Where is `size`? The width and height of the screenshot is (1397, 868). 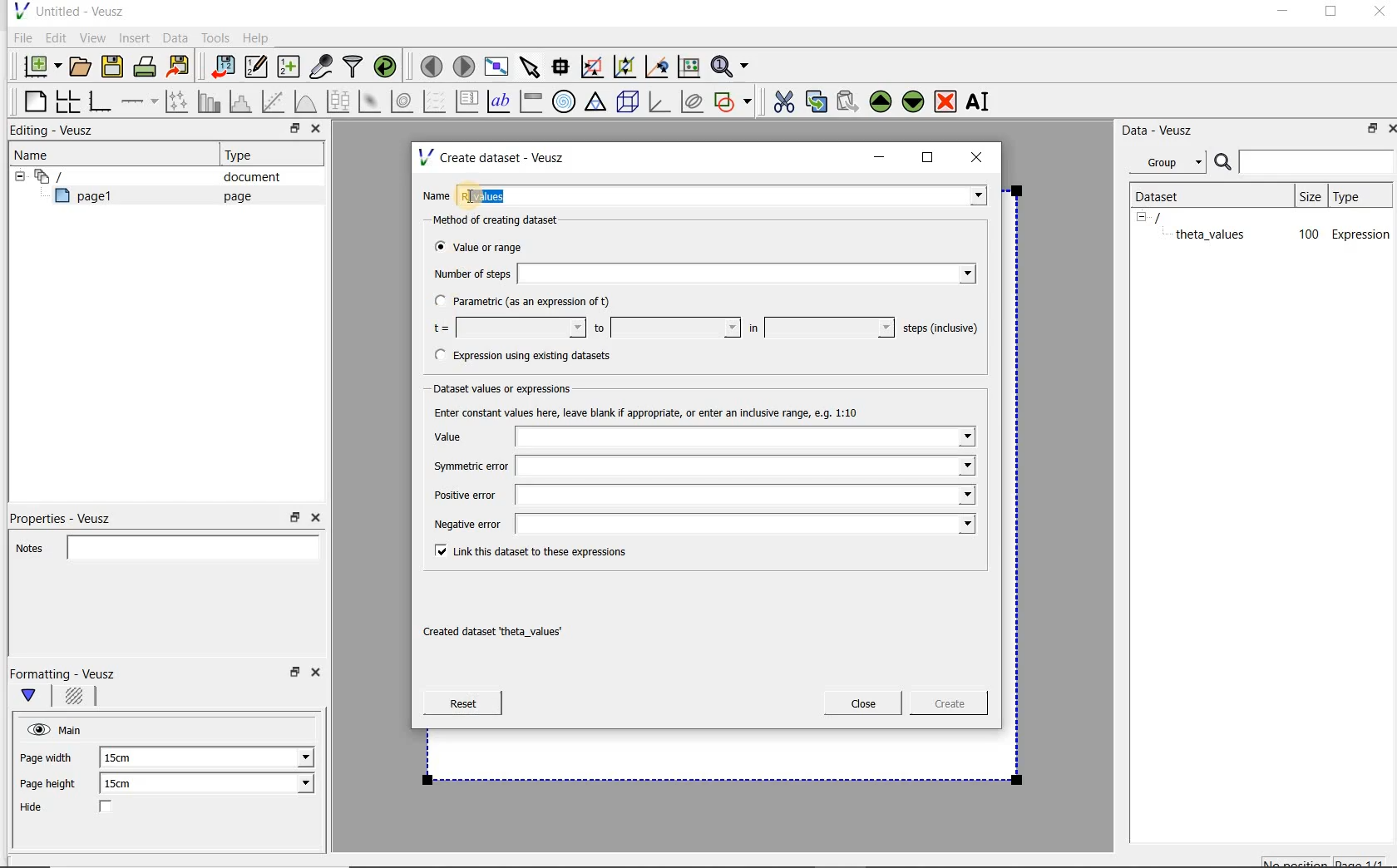
size is located at coordinates (1309, 194).